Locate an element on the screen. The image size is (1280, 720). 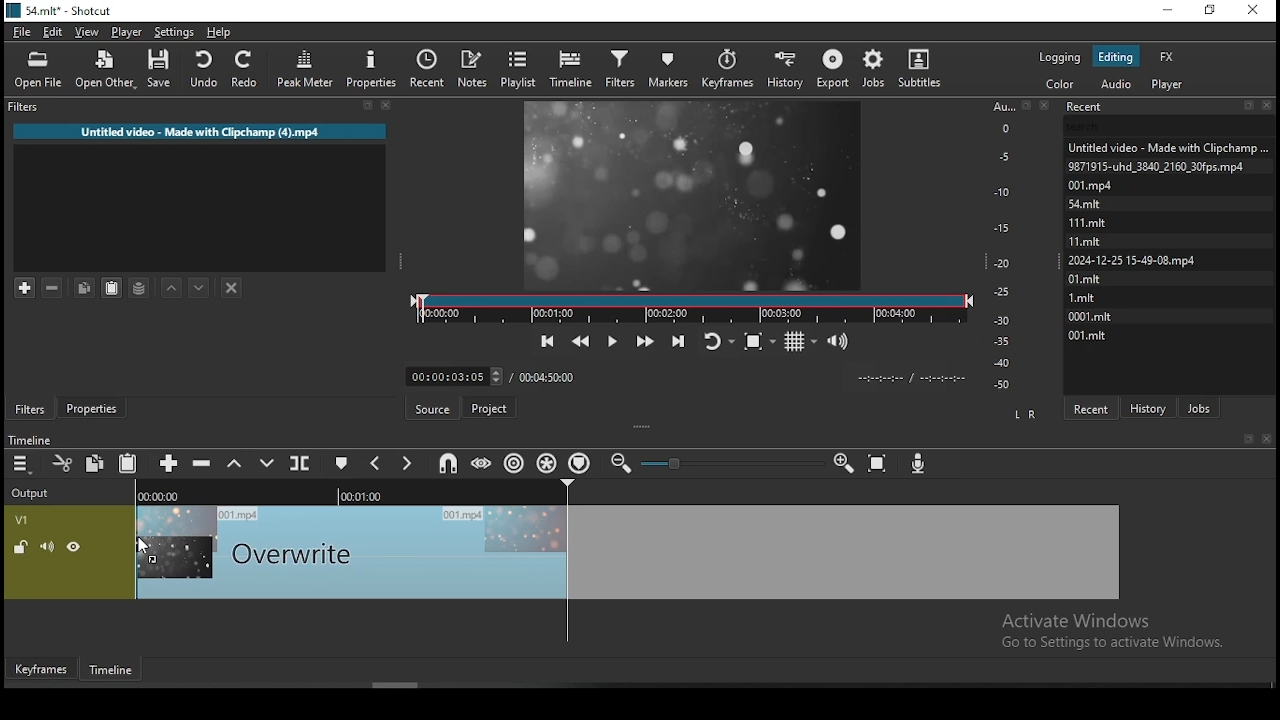
deselect filter is located at coordinates (233, 287).